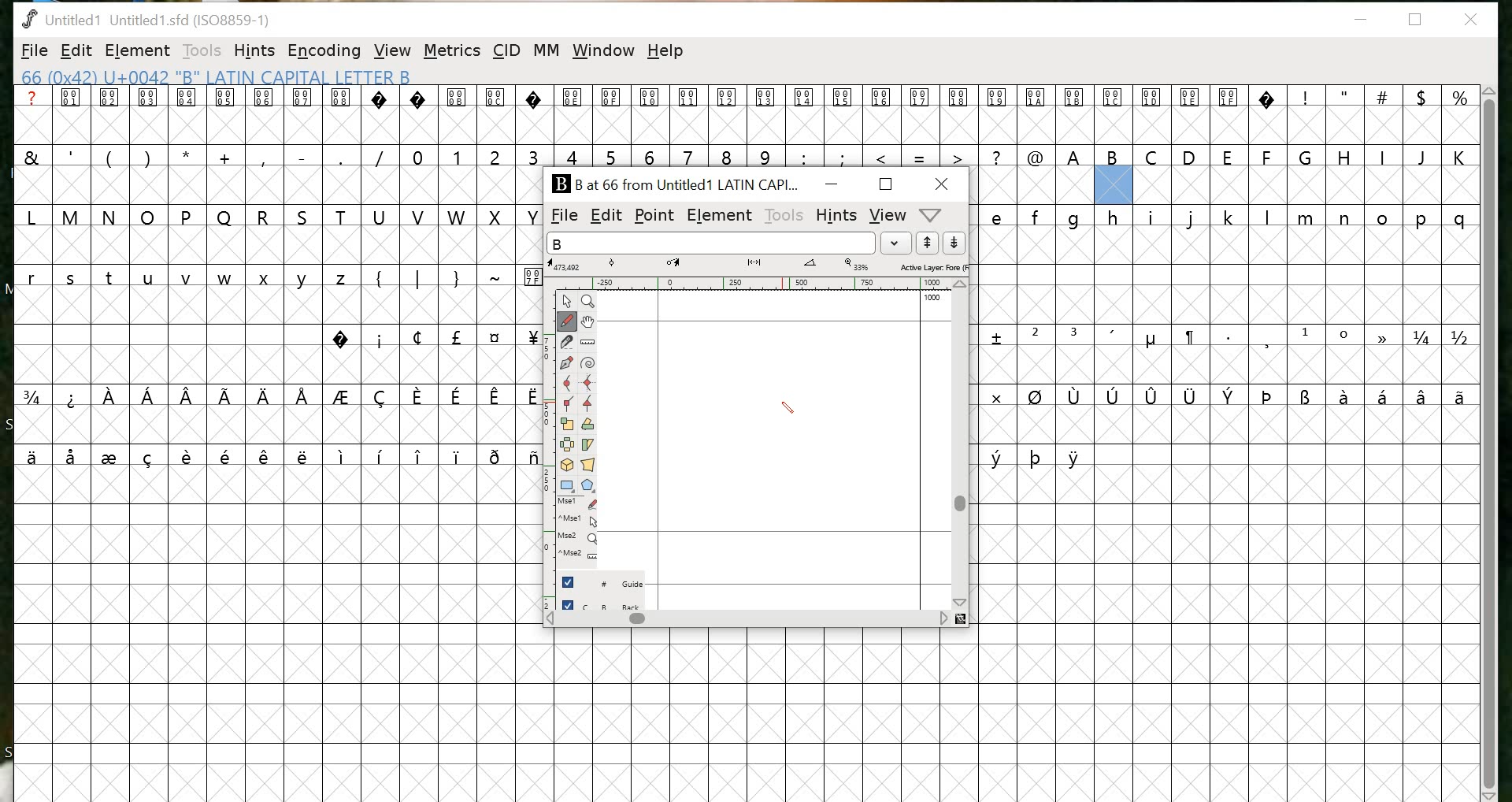 The height and width of the screenshot is (802, 1512). What do you see at coordinates (589, 384) in the screenshot?
I see `HV Curve` at bounding box center [589, 384].